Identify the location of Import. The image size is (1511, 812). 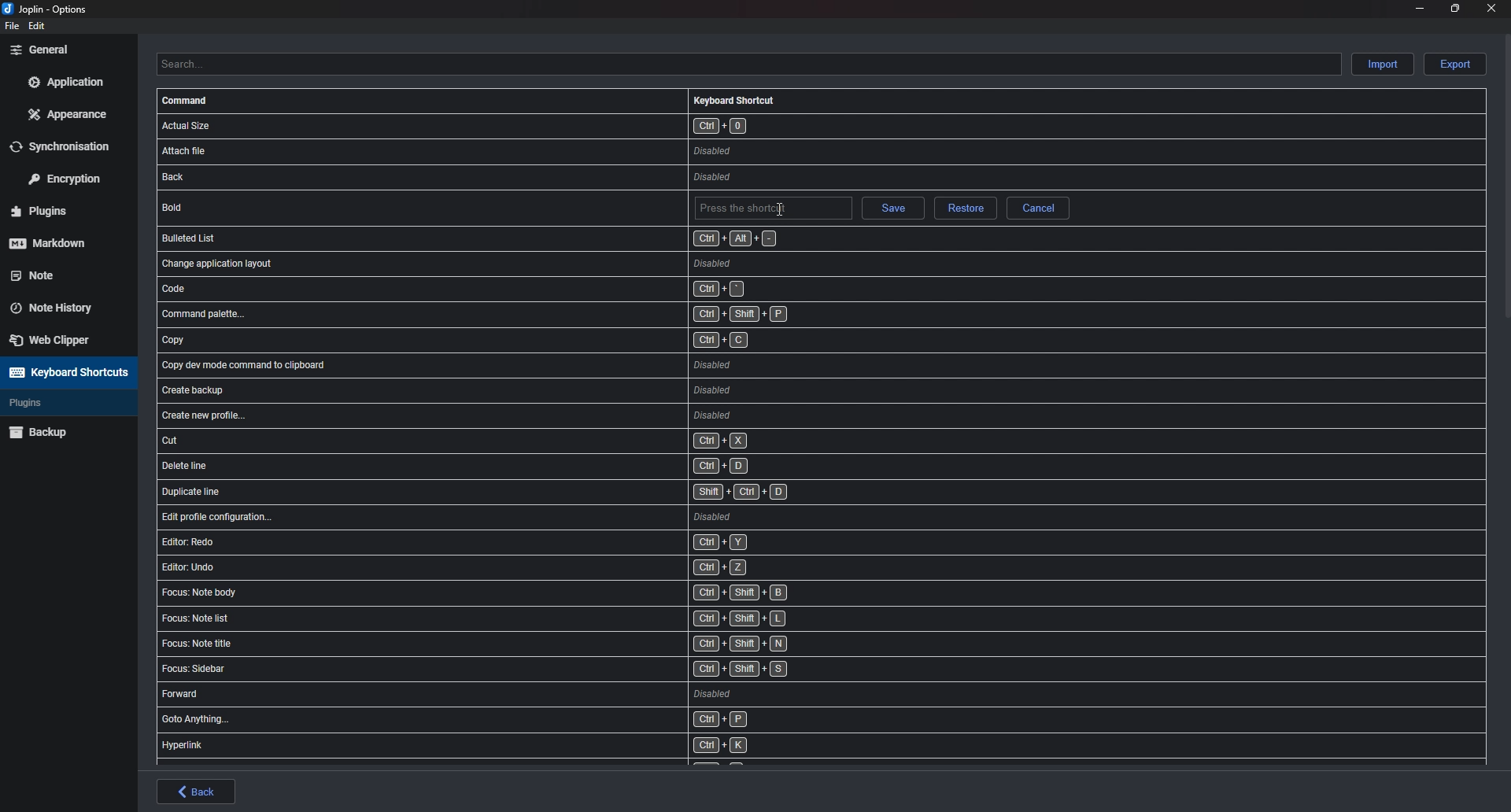
(1384, 63).